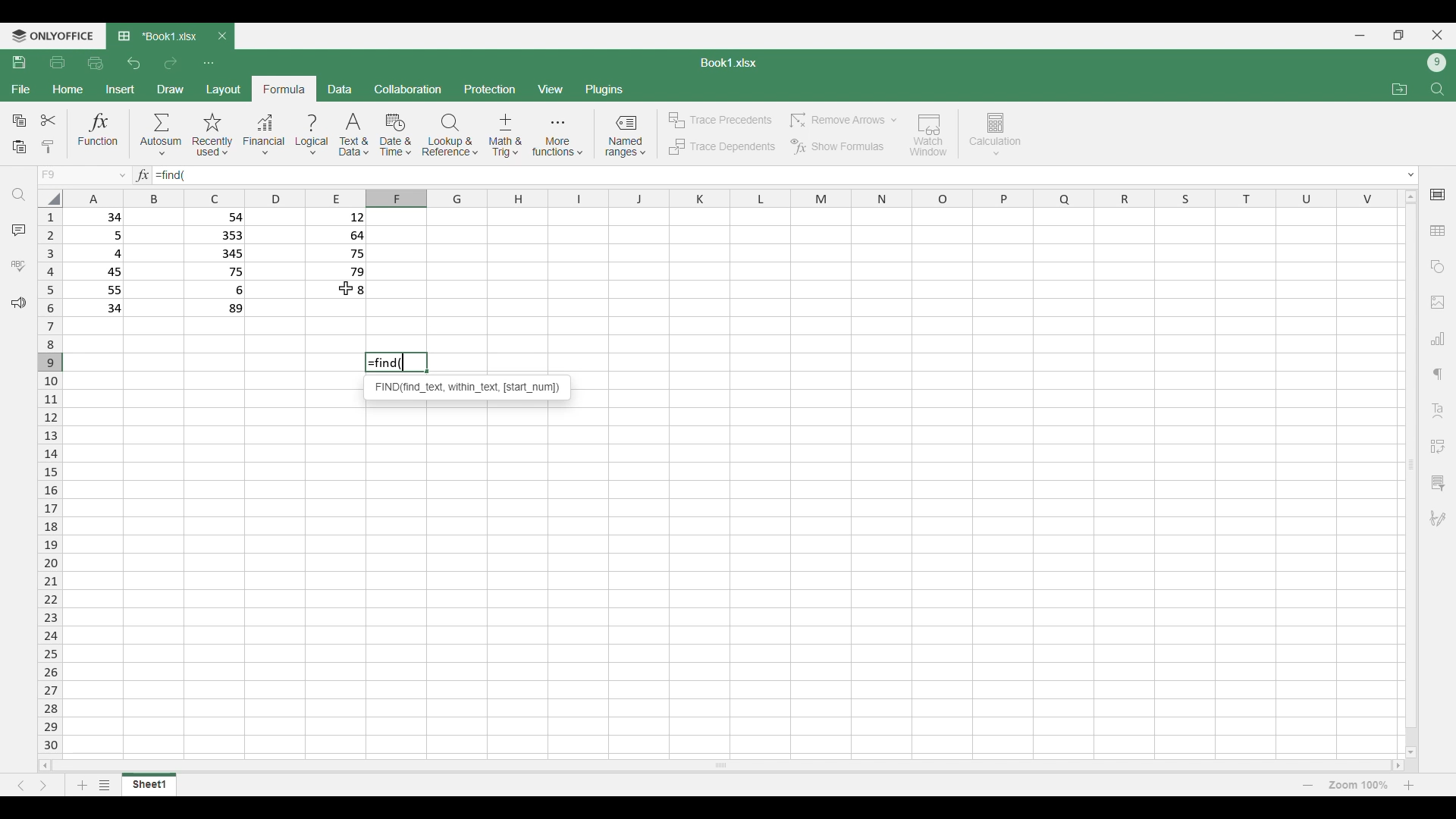 This screenshot has height=819, width=1456. Describe the element at coordinates (19, 195) in the screenshot. I see `Find` at that location.